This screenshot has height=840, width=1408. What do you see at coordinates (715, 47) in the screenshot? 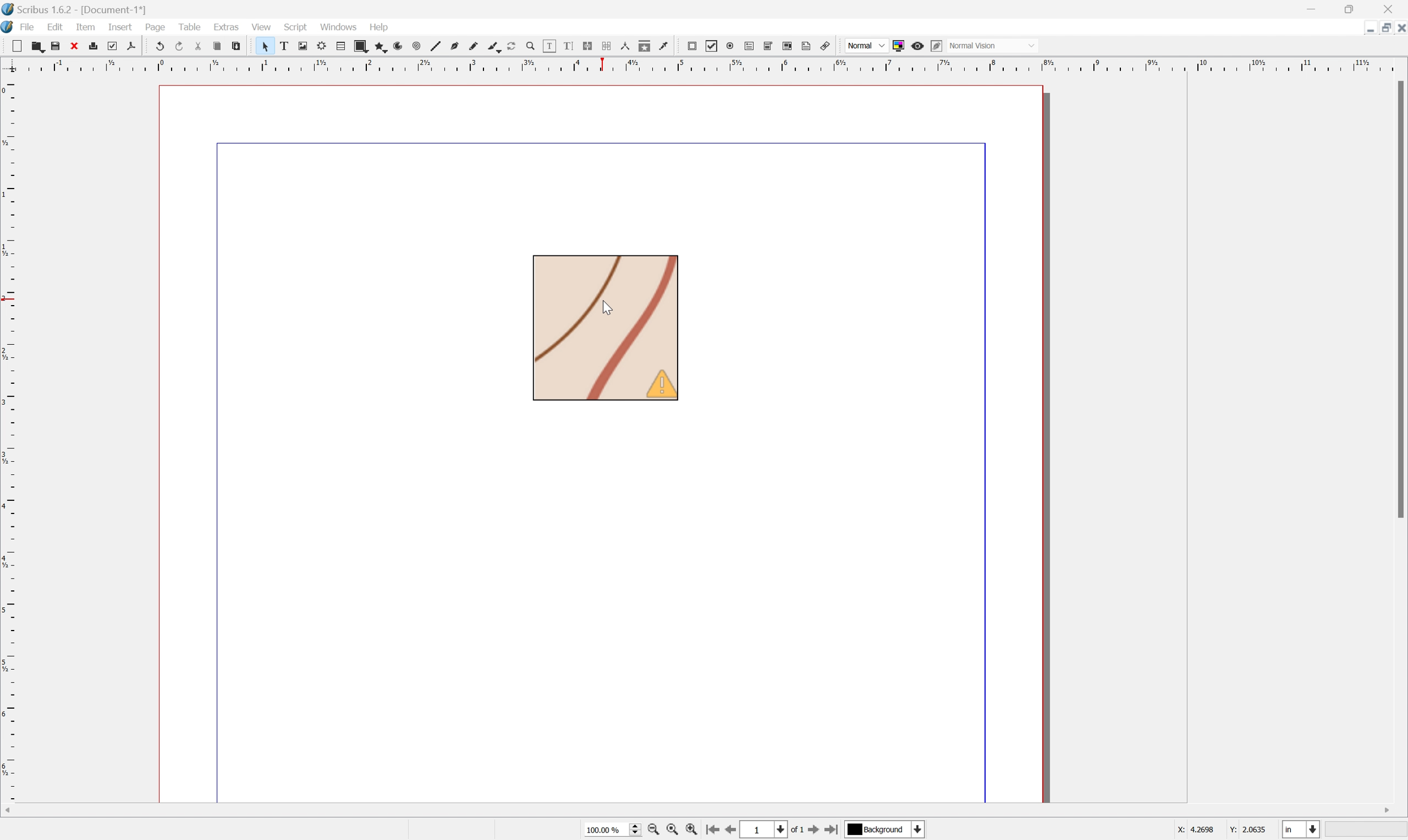
I see `PDF check box` at bounding box center [715, 47].